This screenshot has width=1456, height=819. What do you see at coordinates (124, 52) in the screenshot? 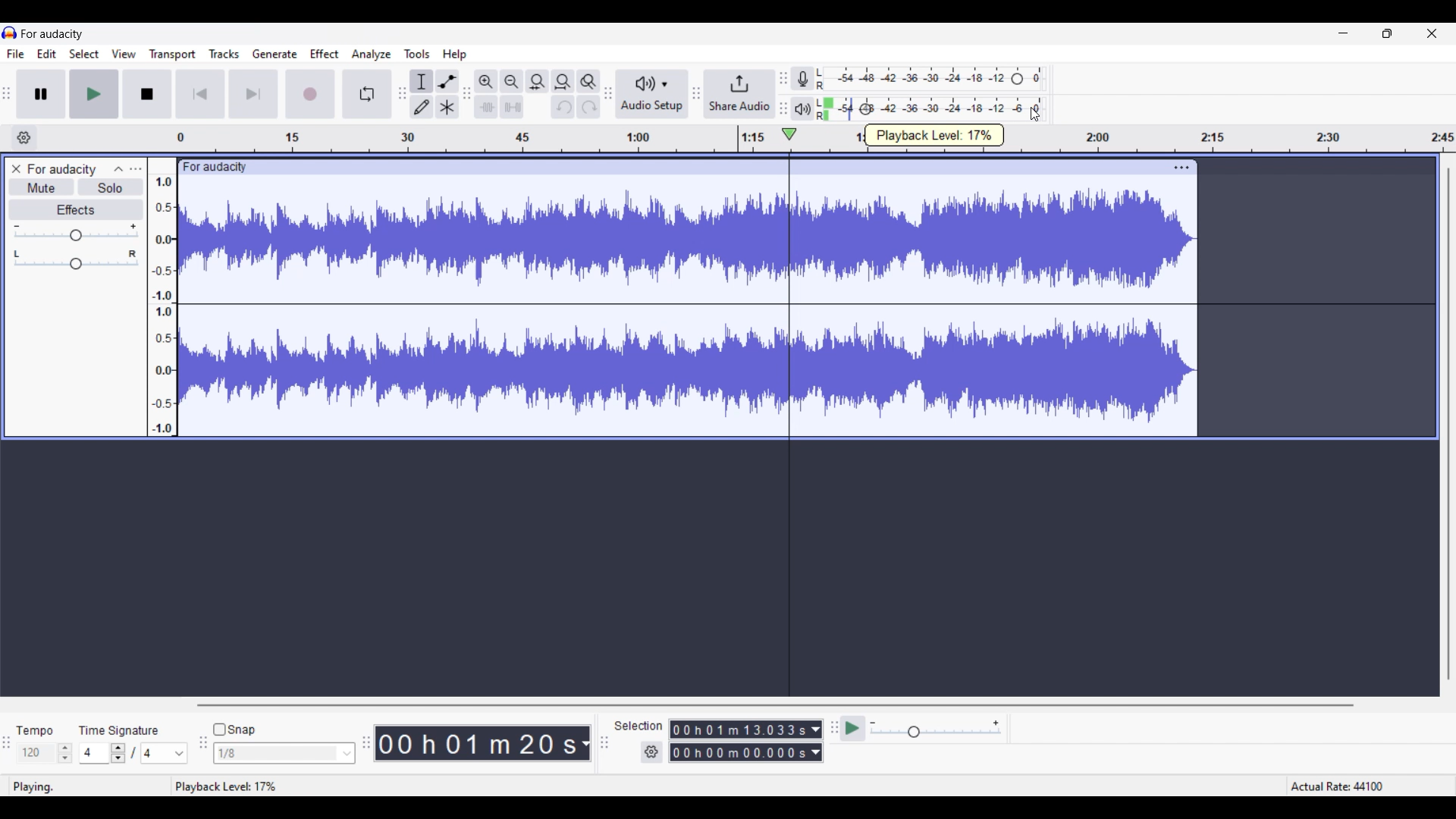
I see `View menu` at bounding box center [124, 52].